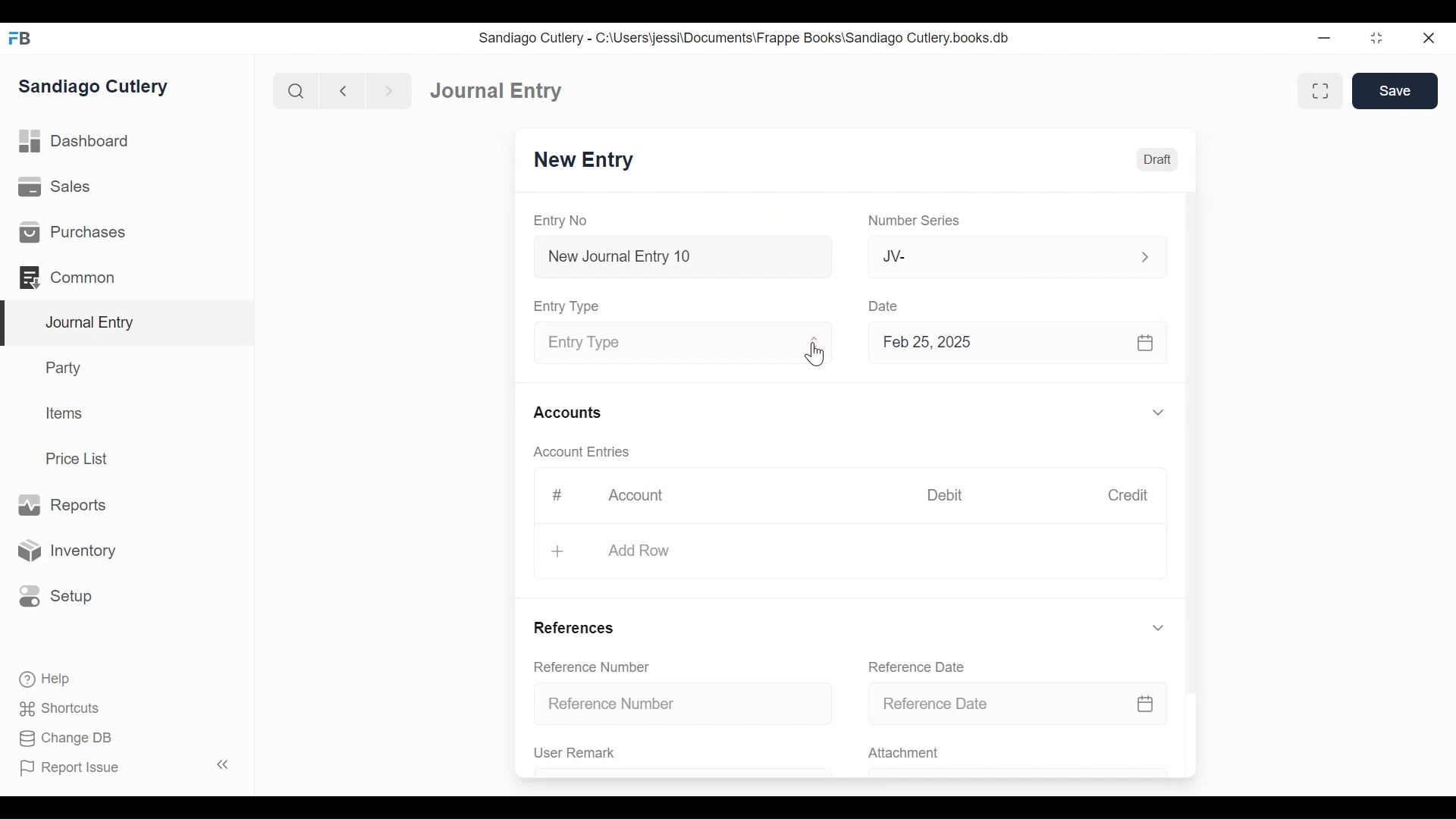 The image size is (1456, 819). I want to click on Reports, so click(61, 504).